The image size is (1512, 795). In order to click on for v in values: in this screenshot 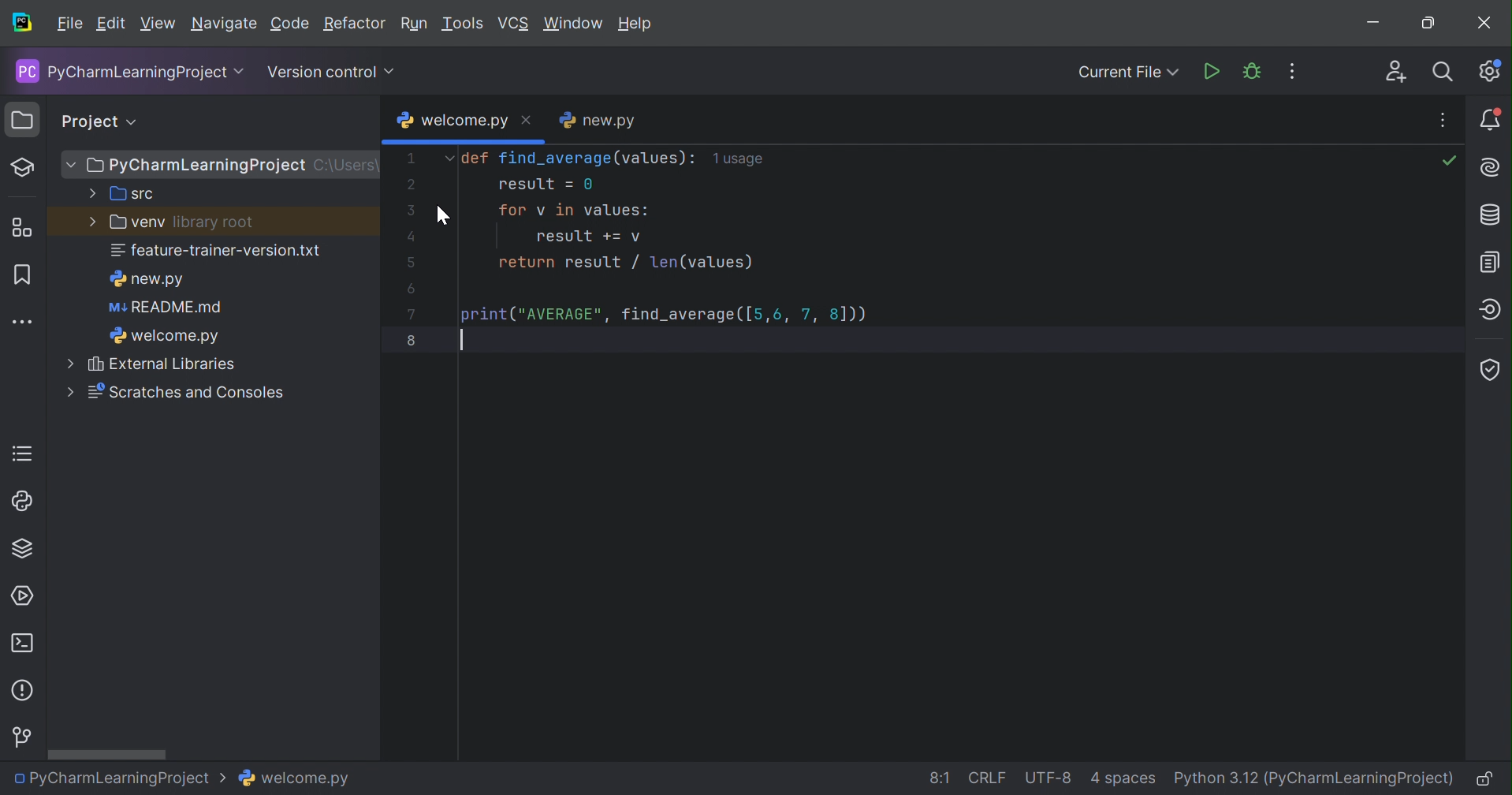, I will do `click(574, 210)`.